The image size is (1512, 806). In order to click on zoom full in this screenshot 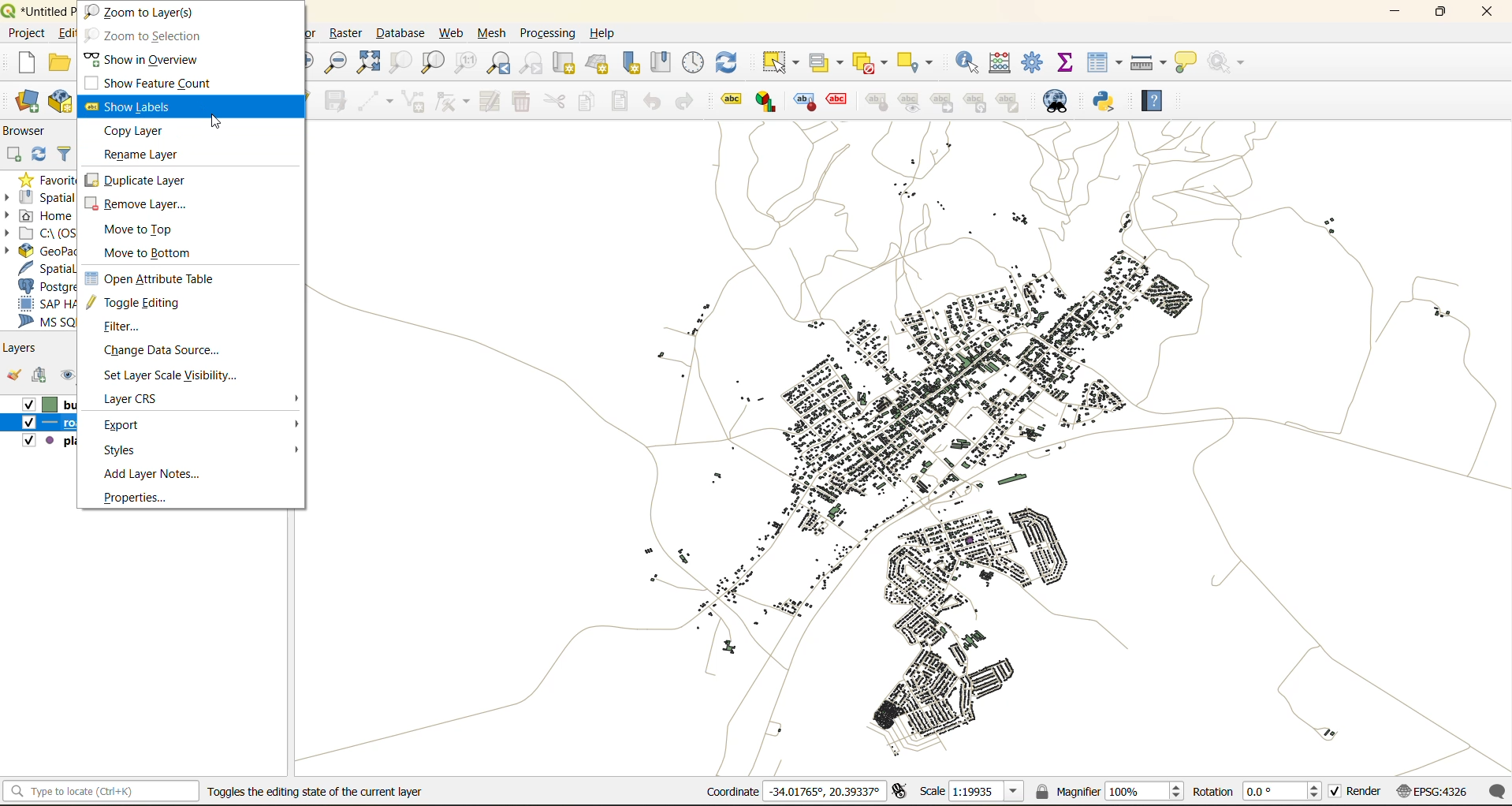, I will do `click(367, 61)`.